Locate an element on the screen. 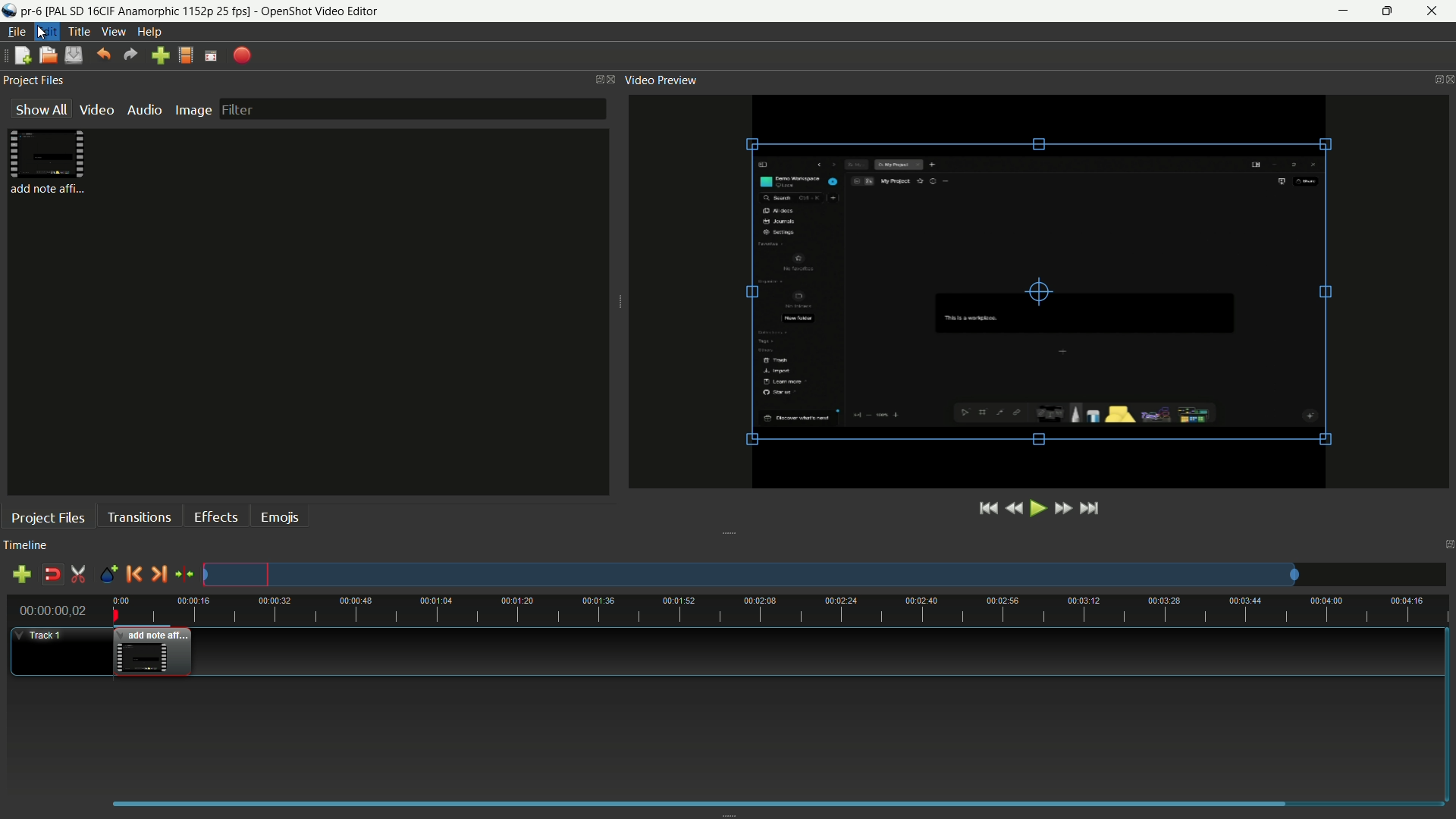 This screenshot has height=819, width=1456. export is located at coordinates (243, 57).